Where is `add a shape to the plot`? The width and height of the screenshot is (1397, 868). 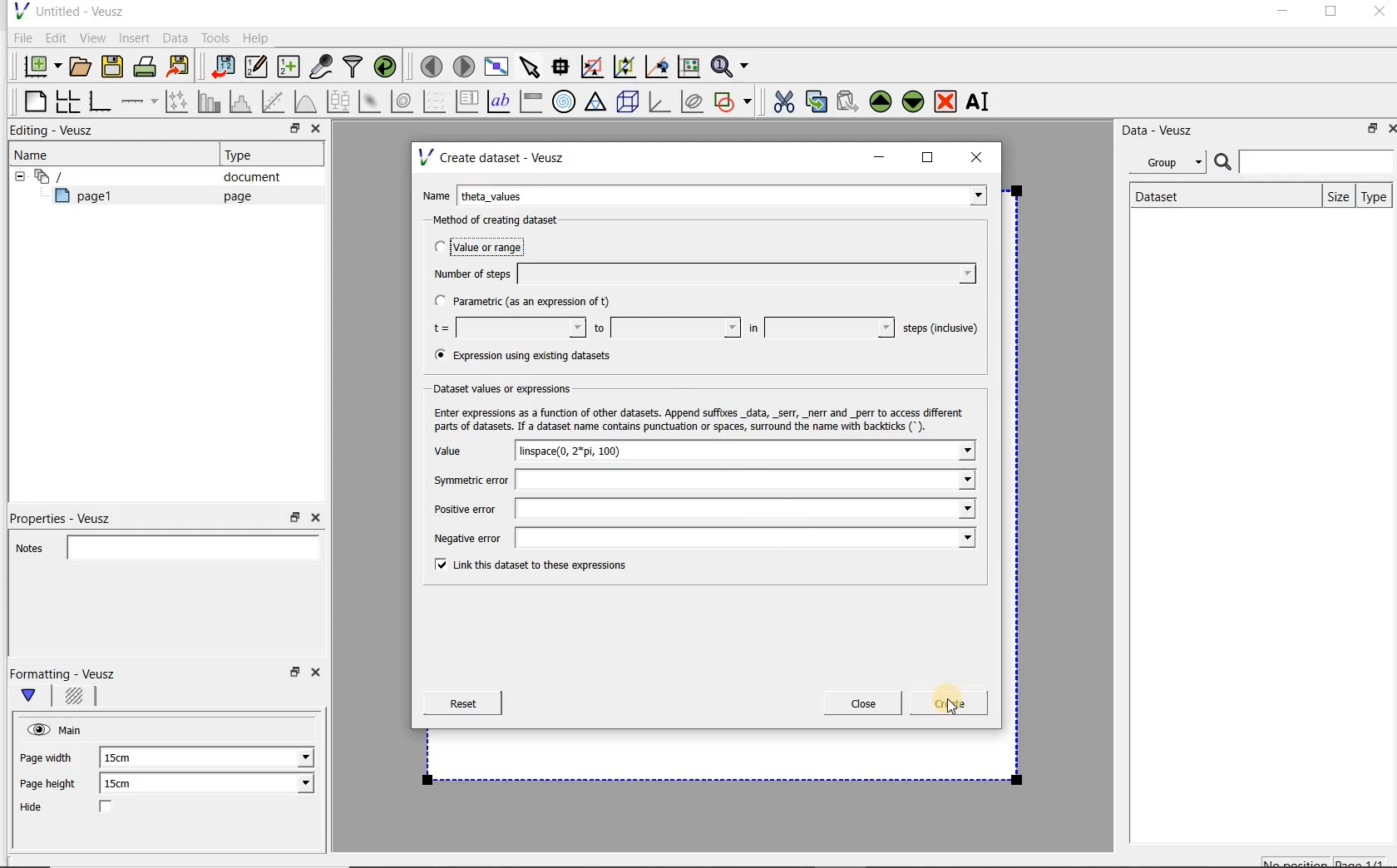
add a shape to the plot is located at coordinates (734, 100).